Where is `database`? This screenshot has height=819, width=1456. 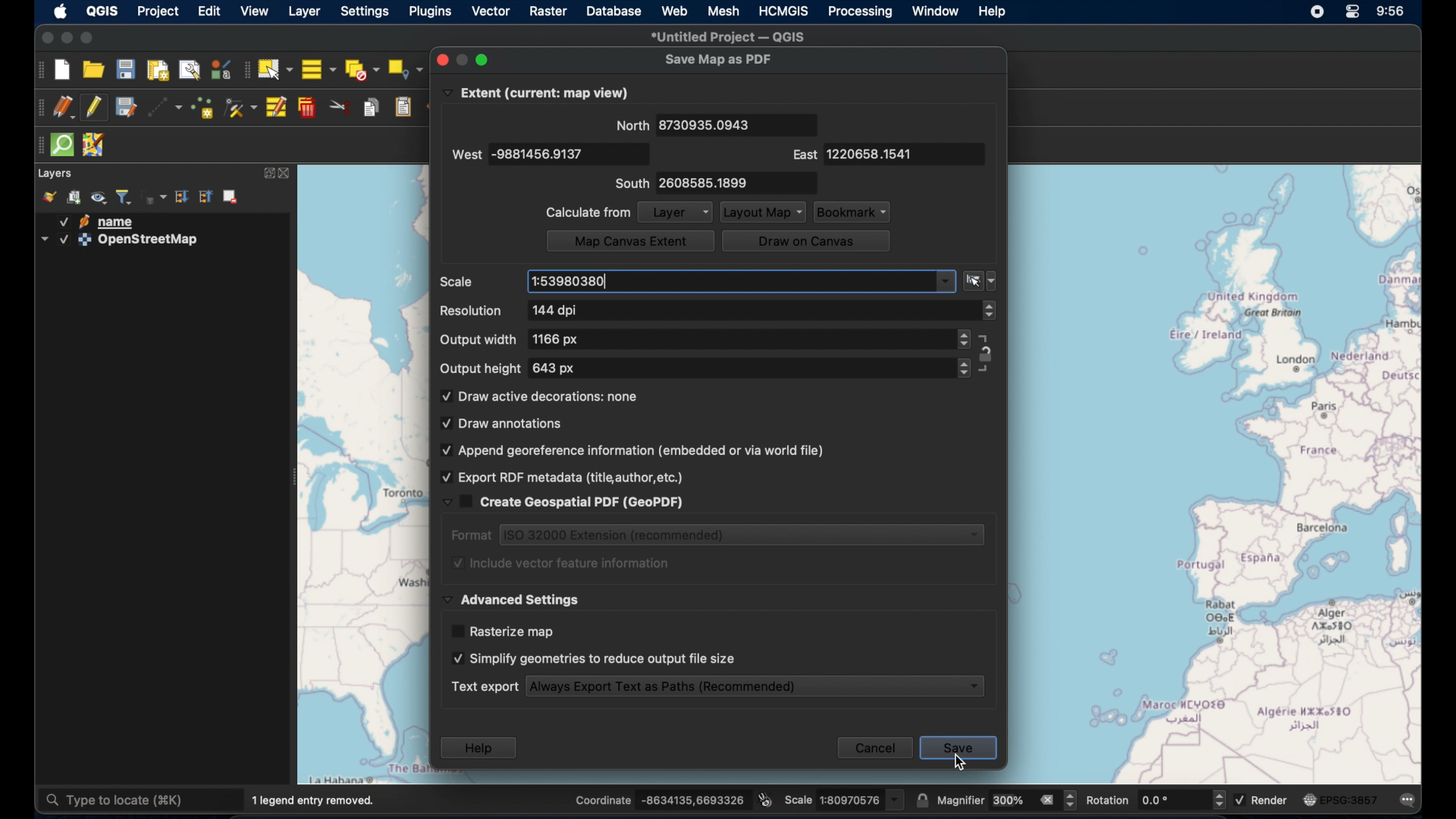 database is located at coordinates (613, 11).